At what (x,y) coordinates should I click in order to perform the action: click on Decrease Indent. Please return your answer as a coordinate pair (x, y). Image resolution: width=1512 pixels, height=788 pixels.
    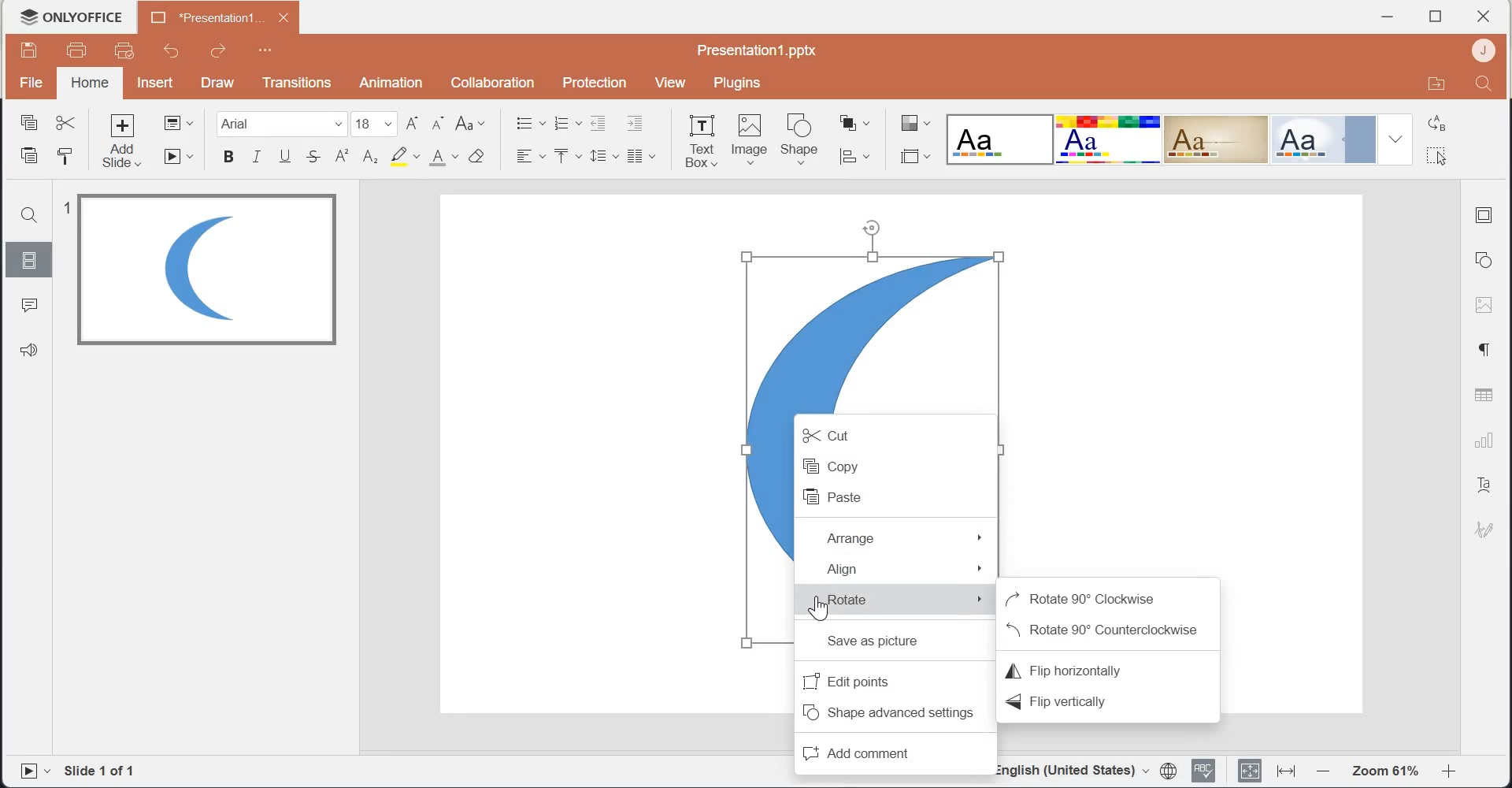
    Looking at the image, I should click on (600, 123).